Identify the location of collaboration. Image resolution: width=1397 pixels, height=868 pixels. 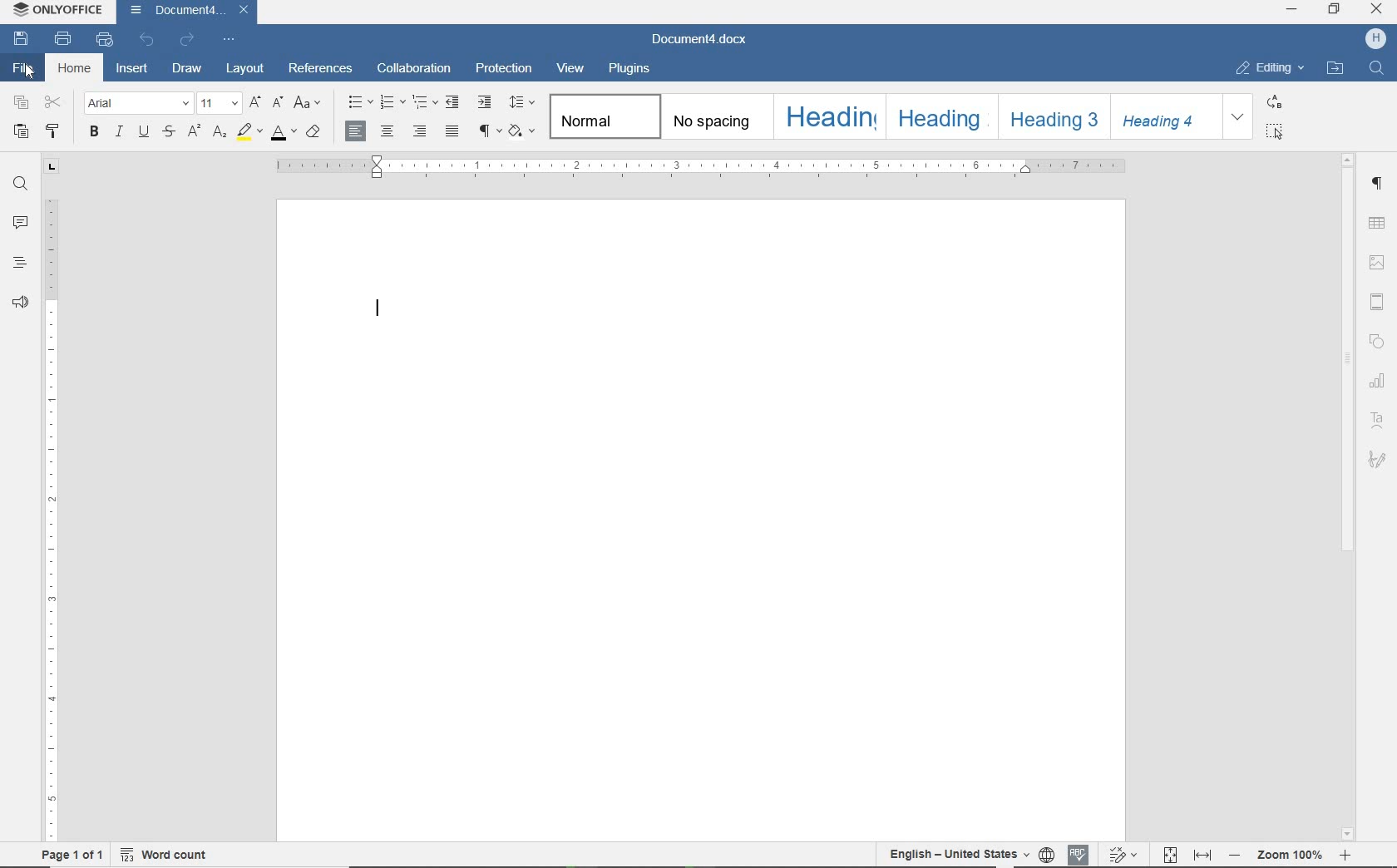
(415, 70).